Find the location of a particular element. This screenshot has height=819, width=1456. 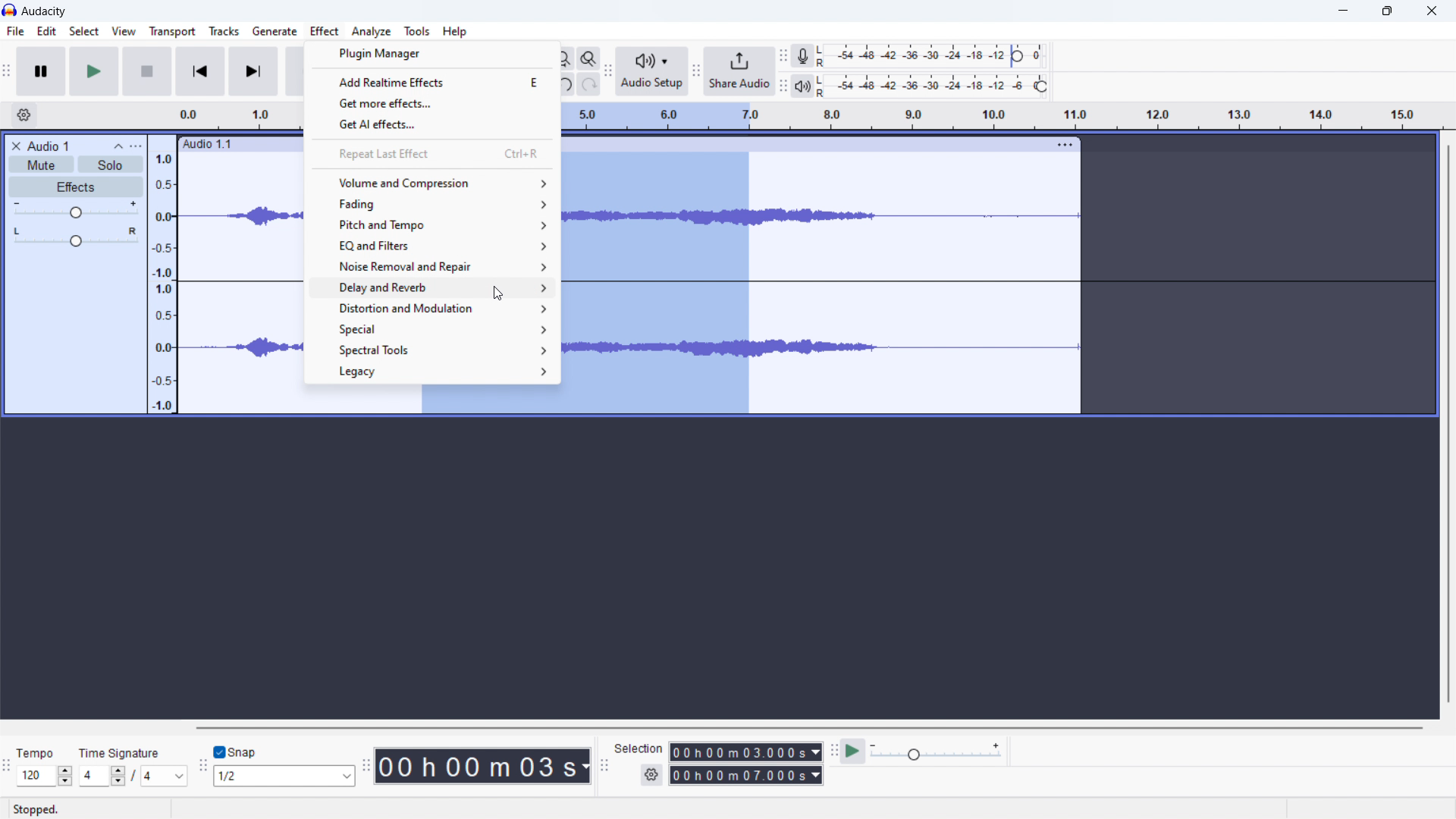

generate is located at coordinates (275, 32).